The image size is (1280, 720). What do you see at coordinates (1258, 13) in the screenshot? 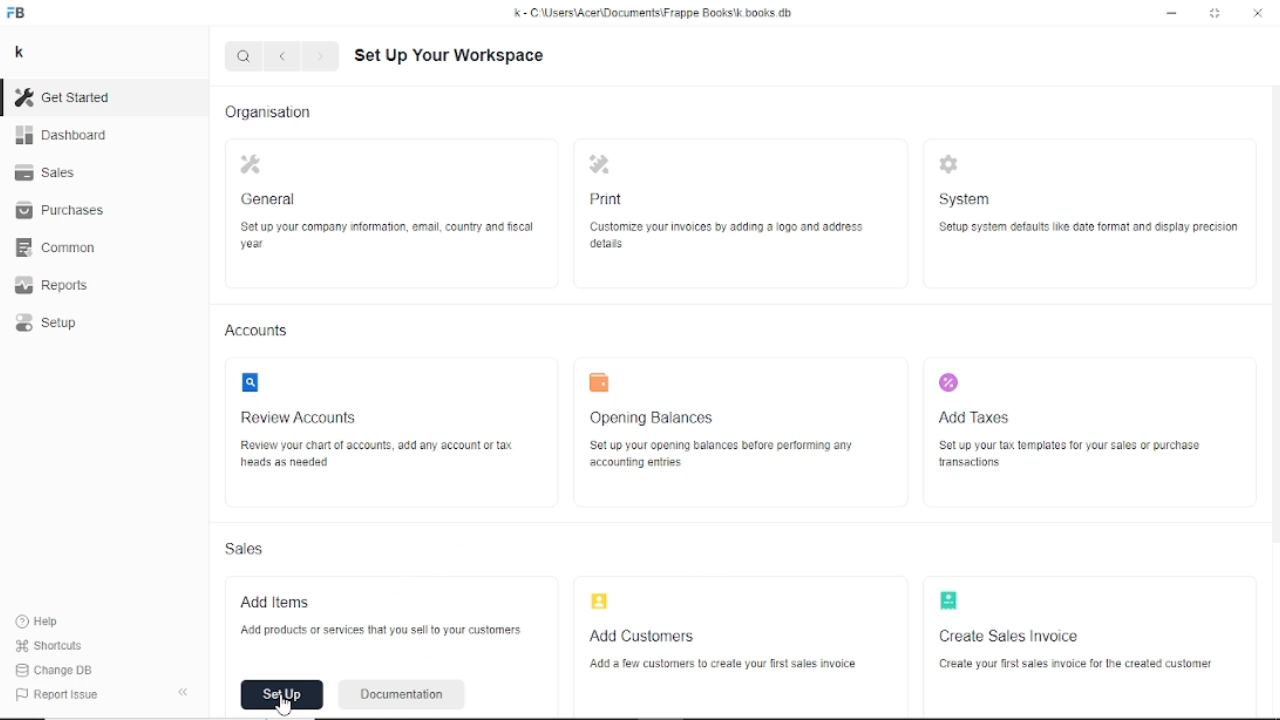
I see `Close` at bounding box center [1258, 13].